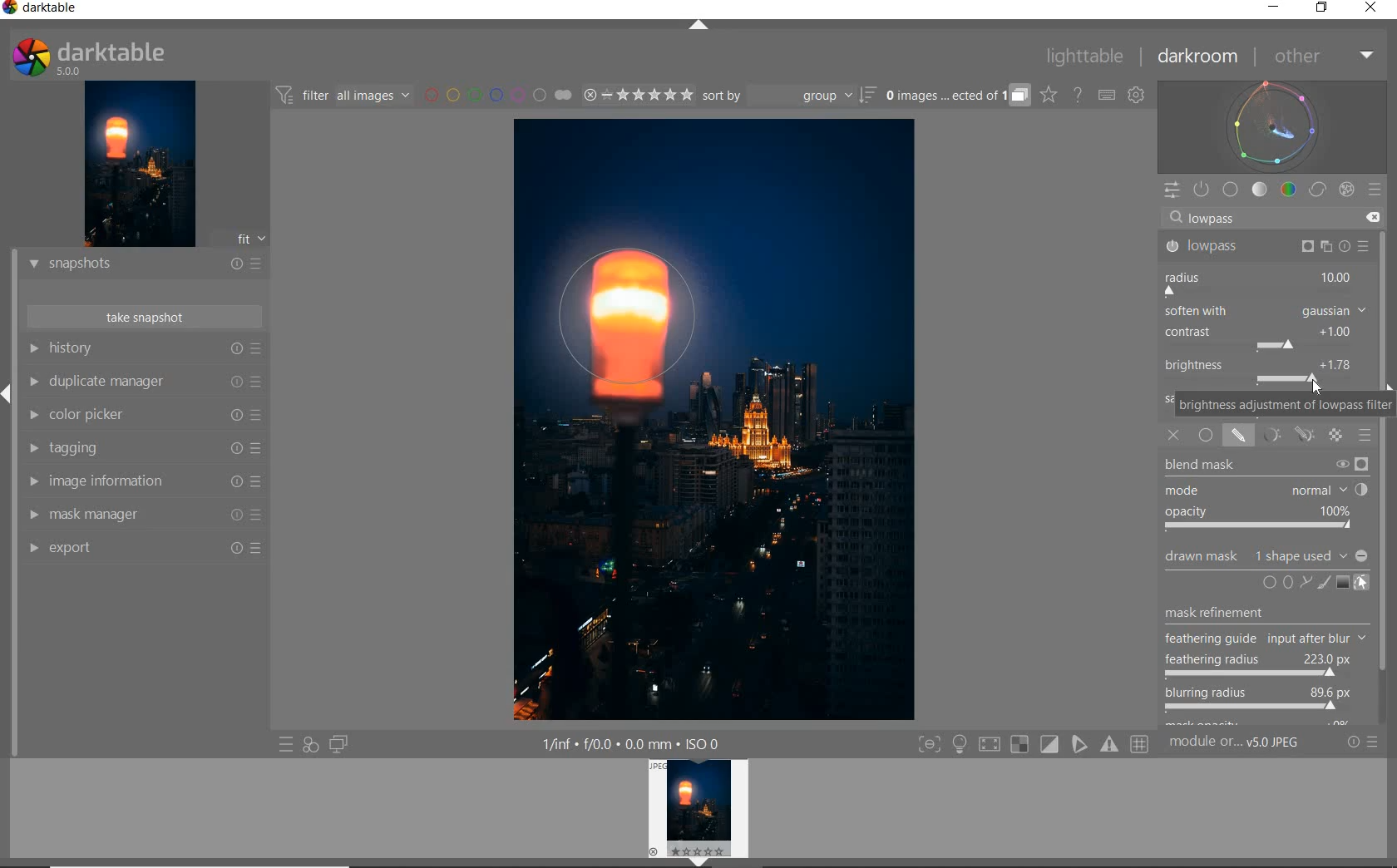 This screenshot has height=868, width=1397. What do you see at coordinates (1207, 436) in the screenshot?
I see `UNIFORMLY` at bounding box center [1207, 436].